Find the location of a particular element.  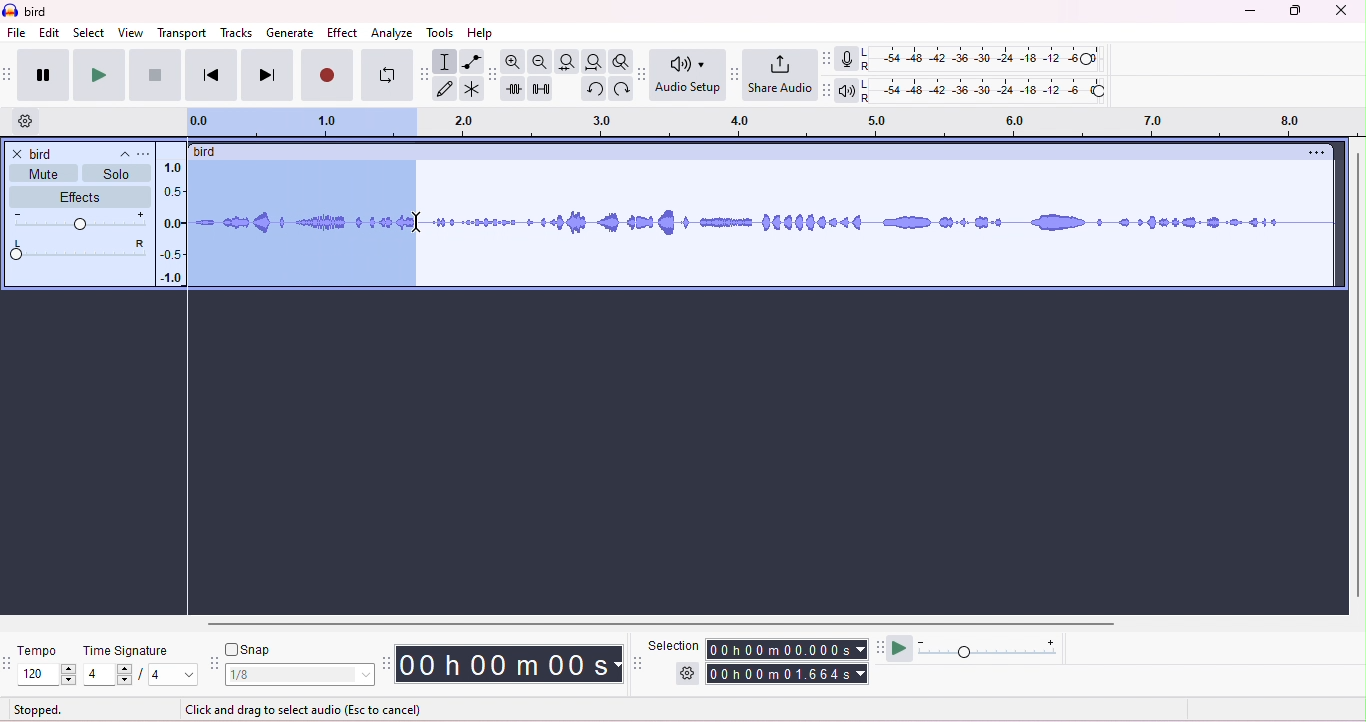

4/4 (select time signature) is located at coordinates (140, 676).